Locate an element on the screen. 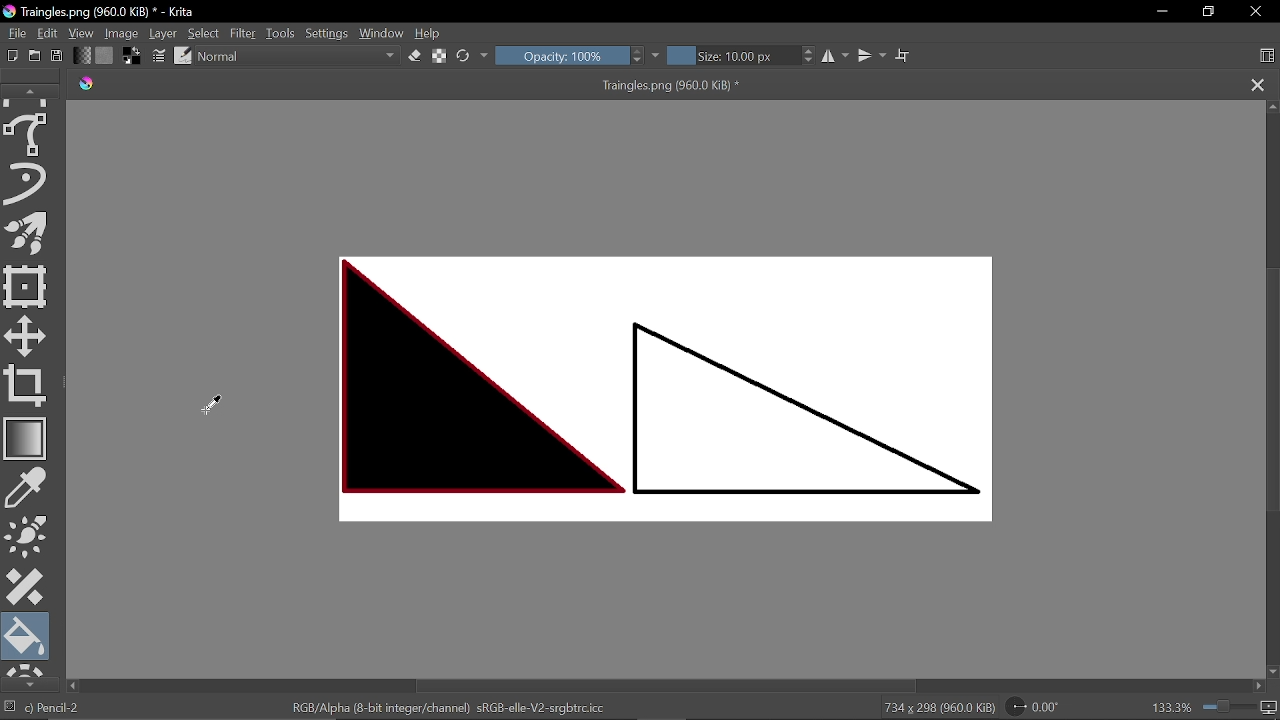  Freeehand path tool is located at coordinates (29, 135).